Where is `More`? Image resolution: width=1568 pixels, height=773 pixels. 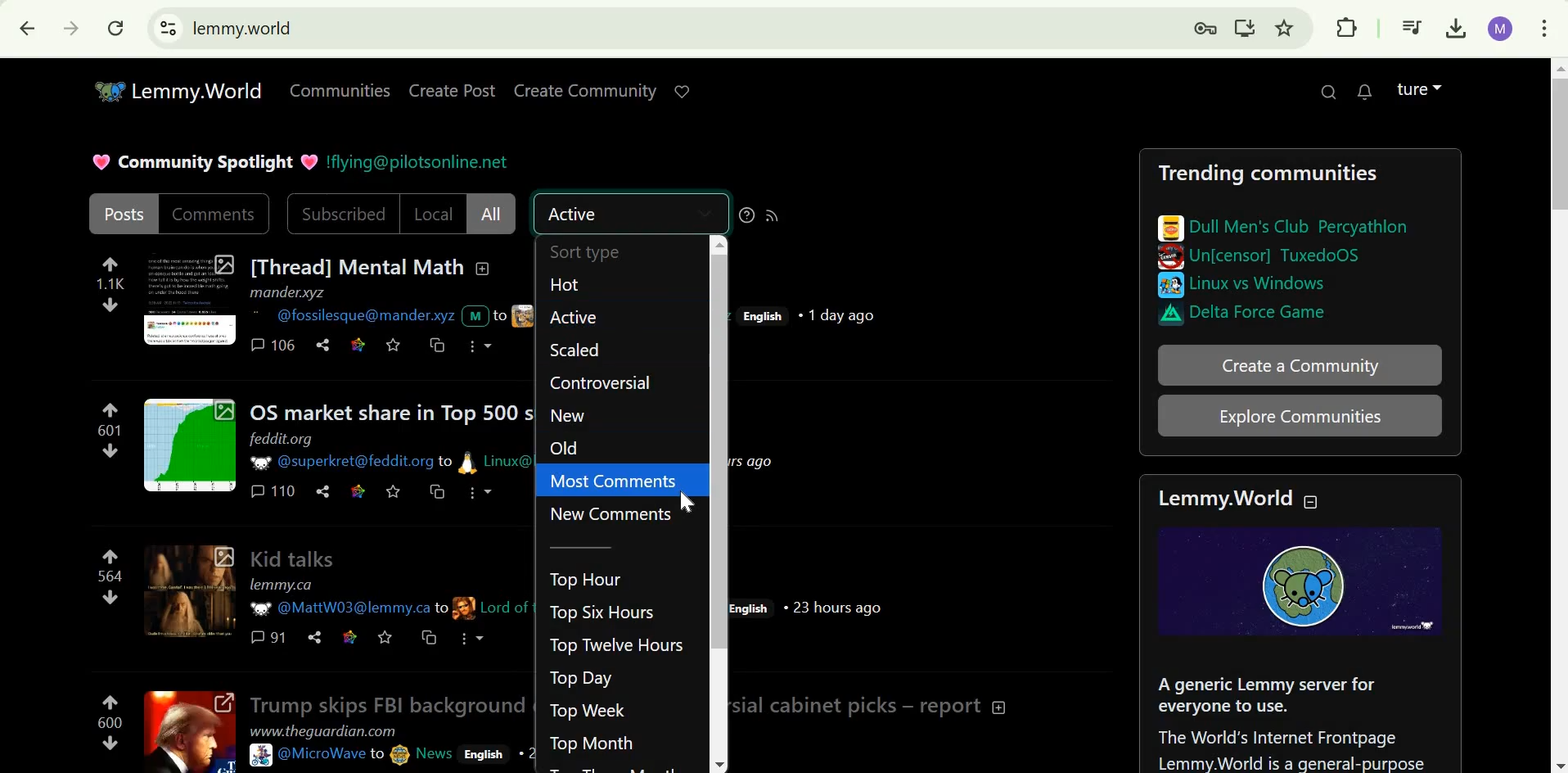 More is located at coordinates (473, 639).